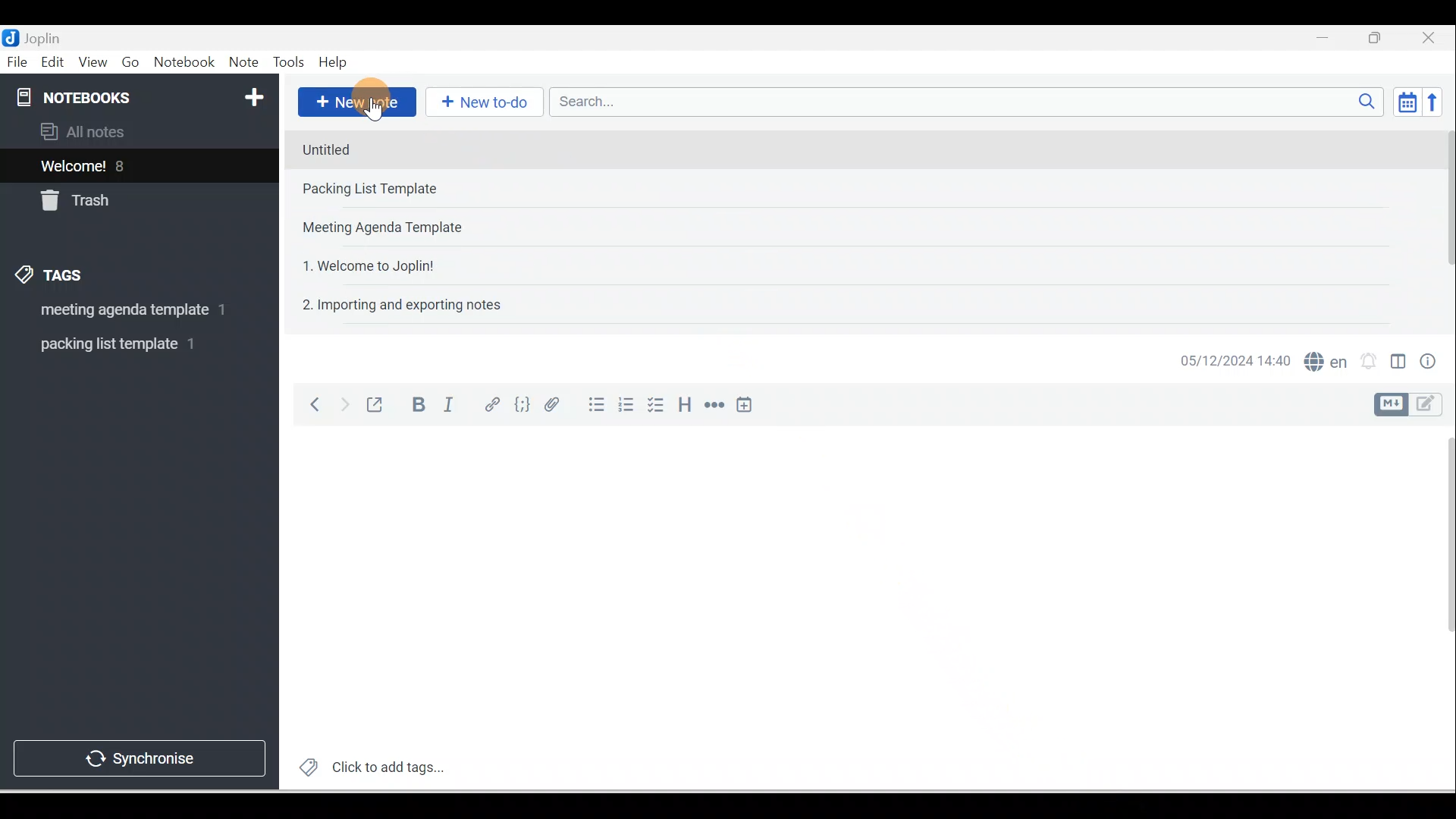 This screenshot has height=819, width=1456. Describe the element at coordinates (1367, 362) in the screenshot. I see `Set alarm` at that location.